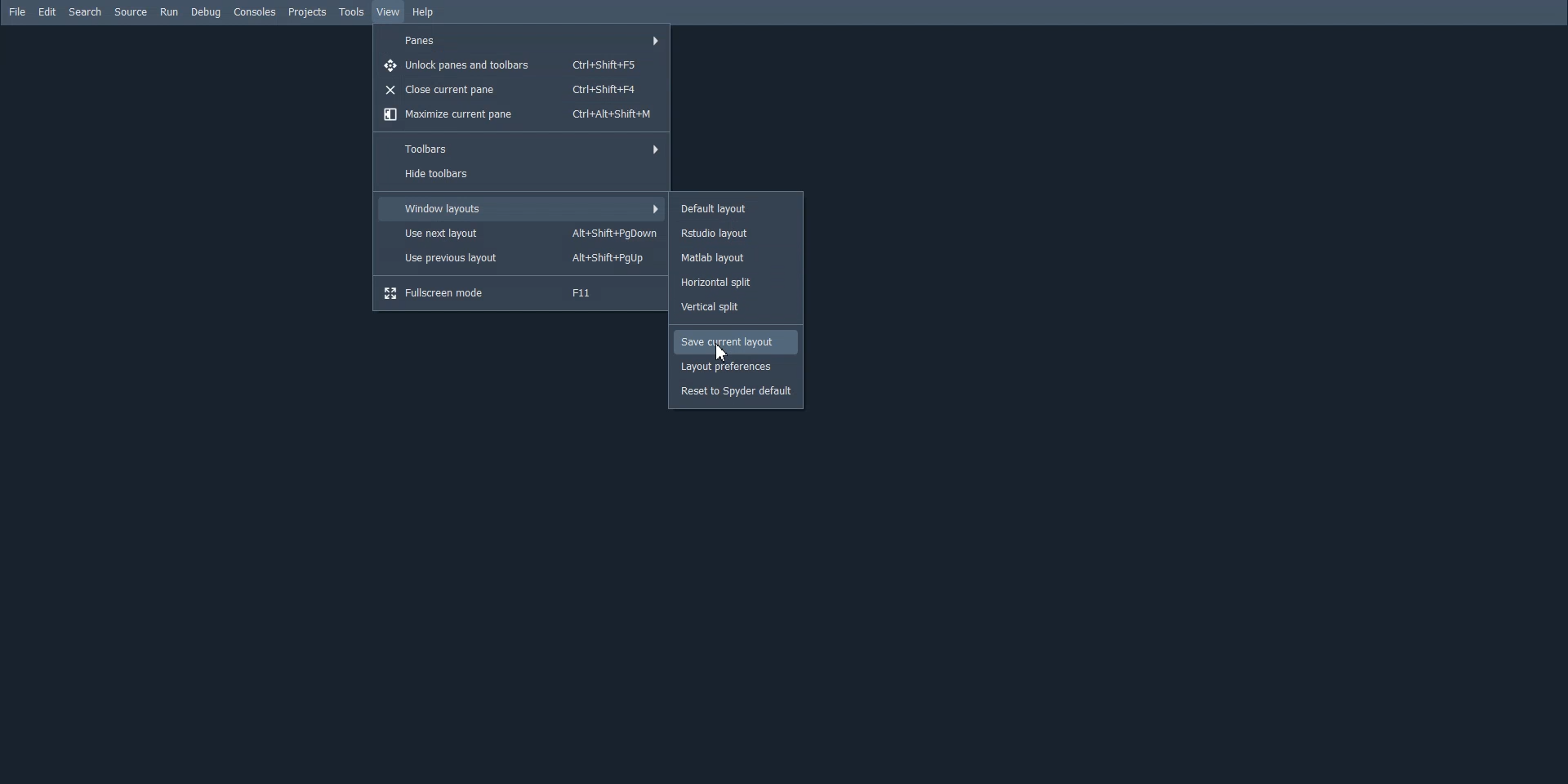 Image resolution: width=1568 pixels, height=784 pixels. What do you see at coordinates (353, 12) in the screenshot?
I see `Tools` at bounding box center [353, 12].